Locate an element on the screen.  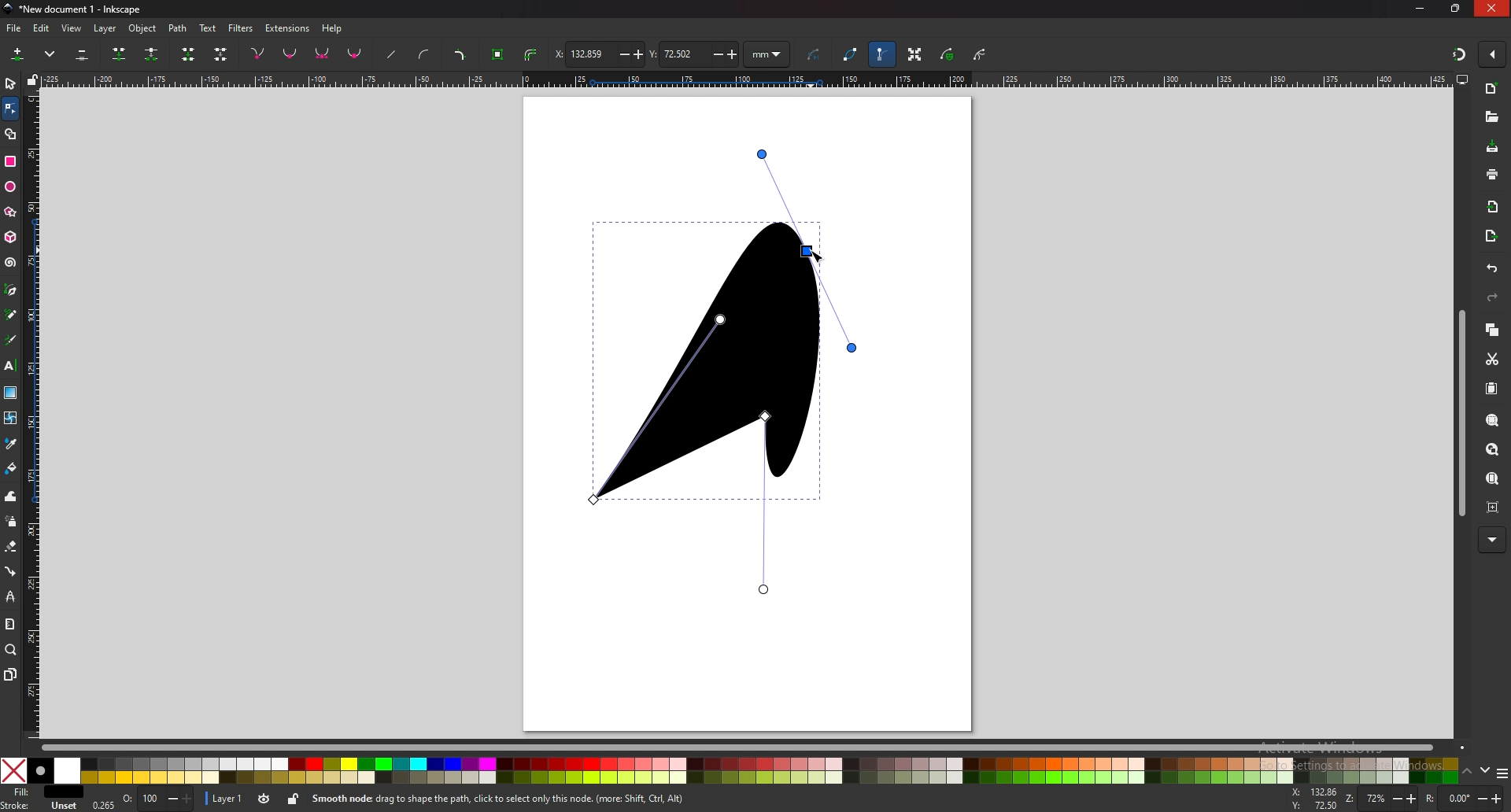
cursor coordinates is located at coordinates (1314, 799).